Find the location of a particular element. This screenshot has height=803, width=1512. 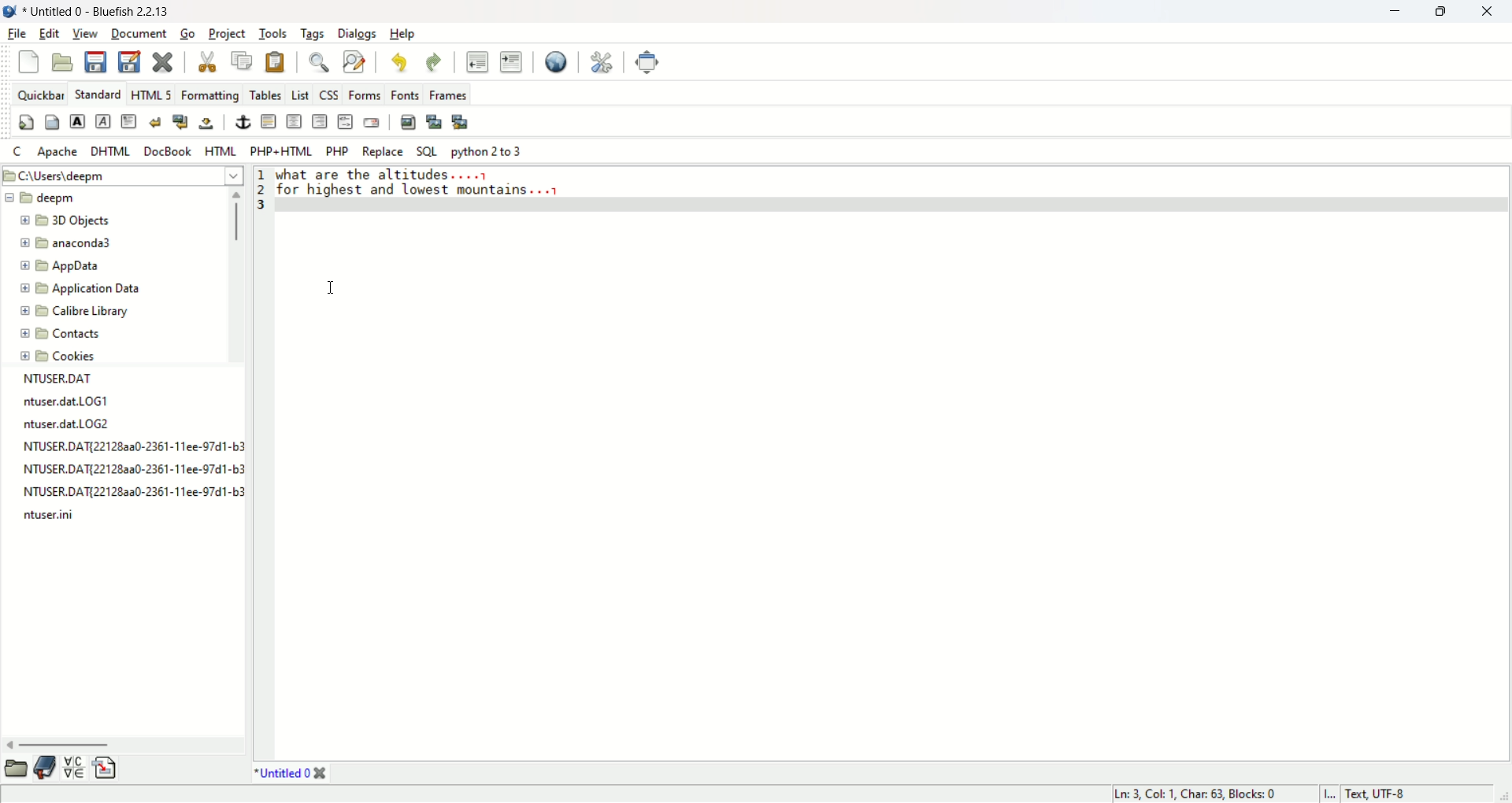

open file is located at coordinates (61, 61).